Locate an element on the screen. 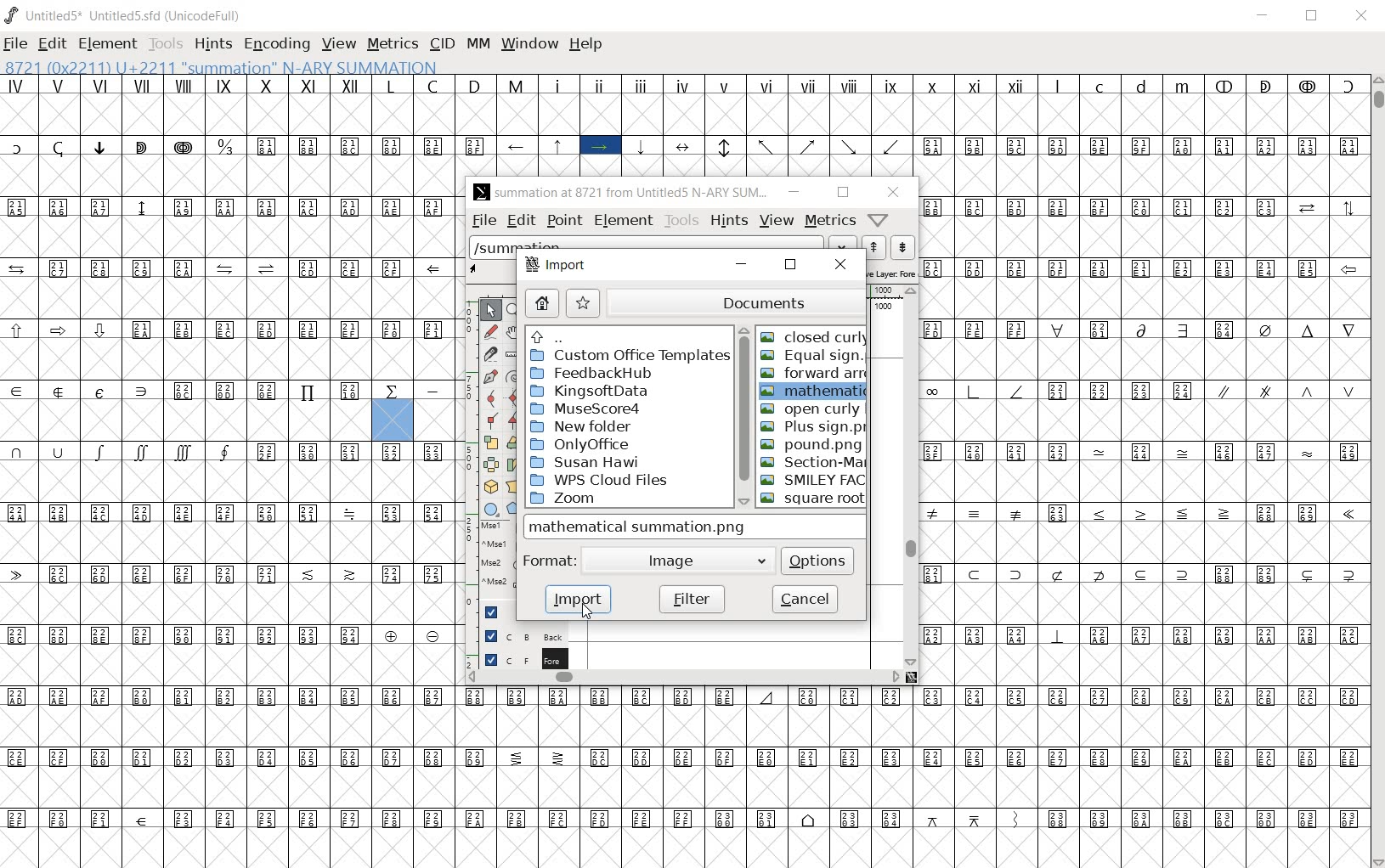 The width and height of the screenshot is (1385, 868). background is located at coordinates (517, 633).